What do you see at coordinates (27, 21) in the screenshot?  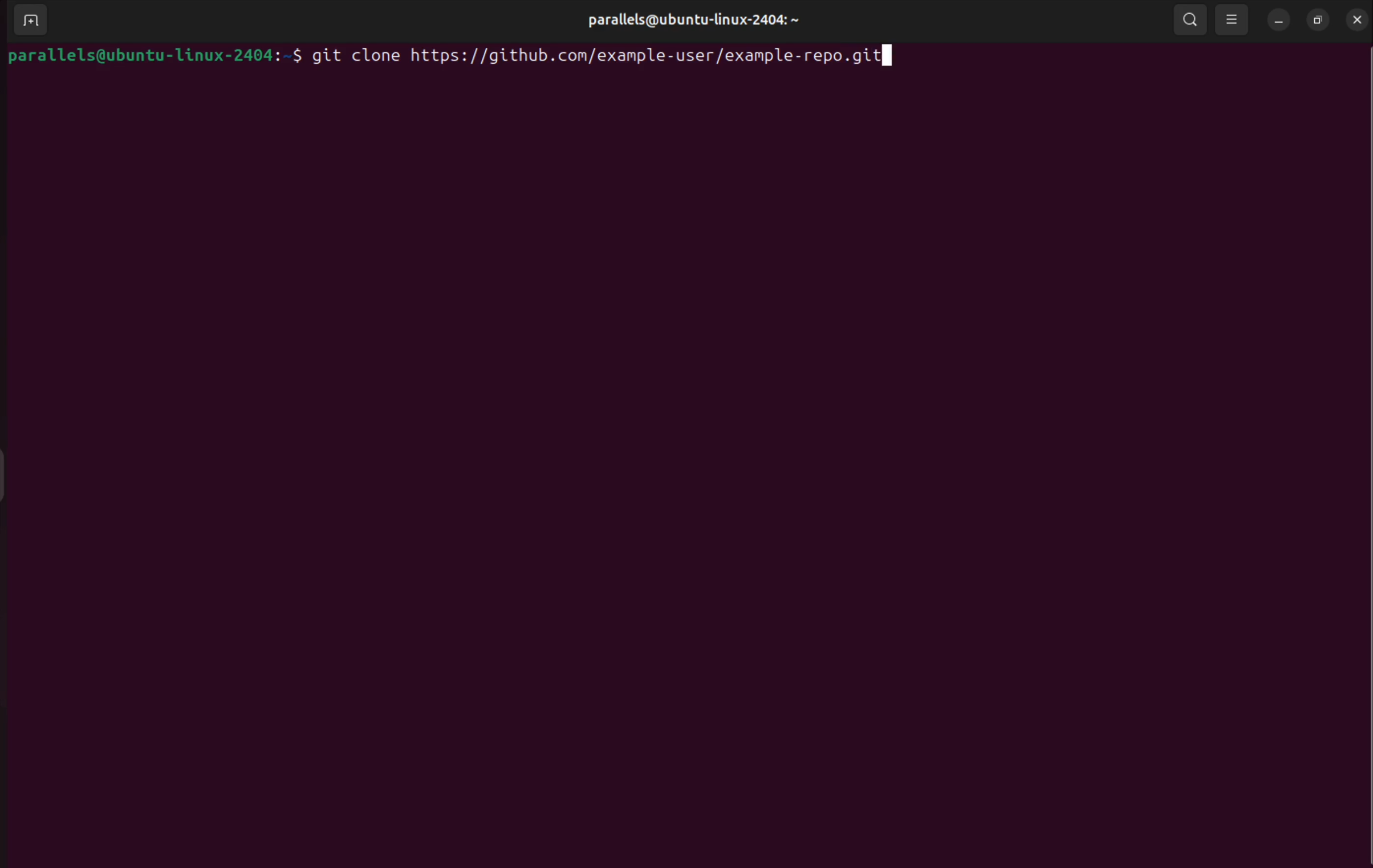 I see `add terminal` at bounding box center [27, 21].